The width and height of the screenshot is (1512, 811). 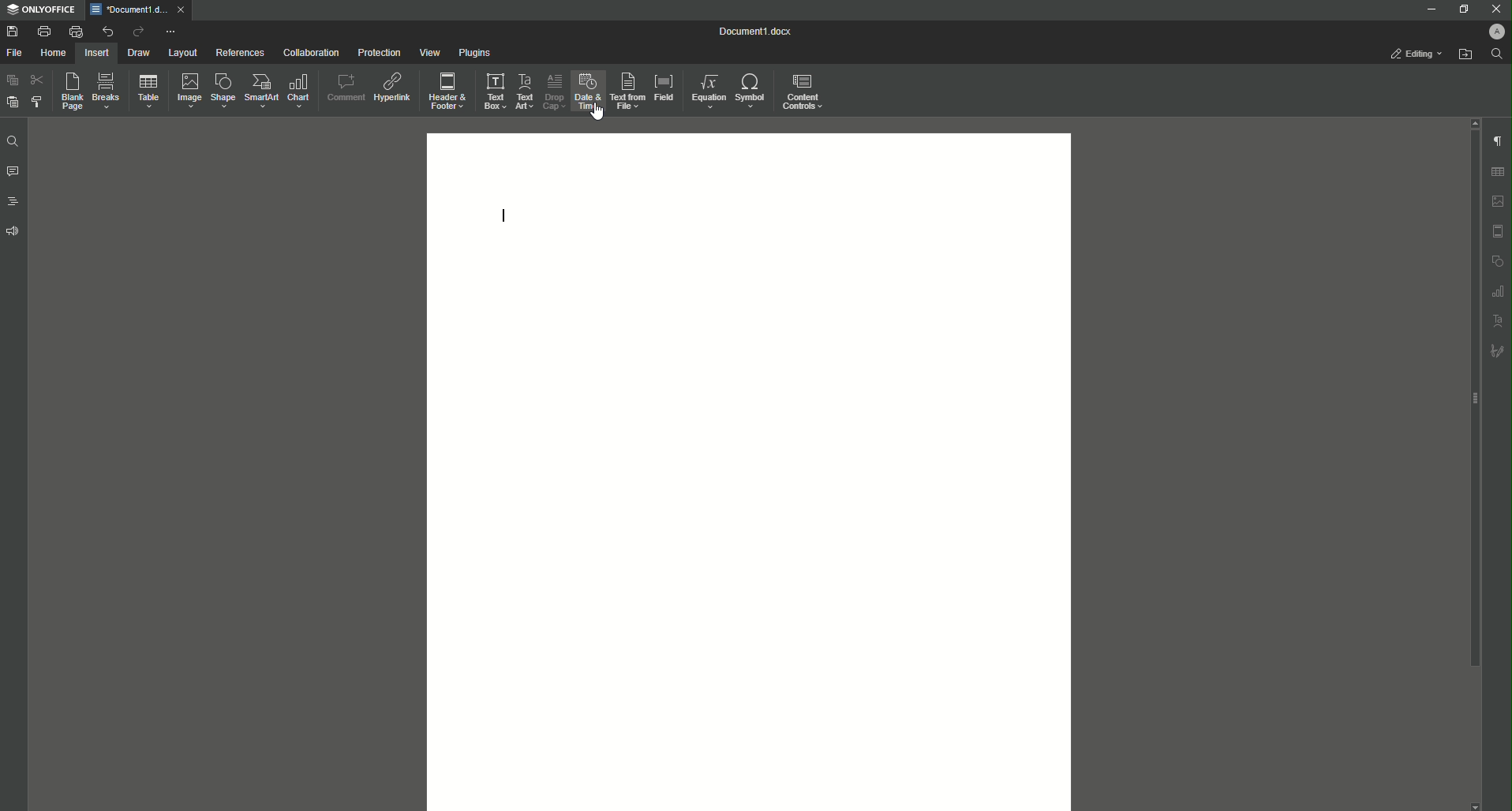 I want to click on Find, so click(x=1496, y=54).